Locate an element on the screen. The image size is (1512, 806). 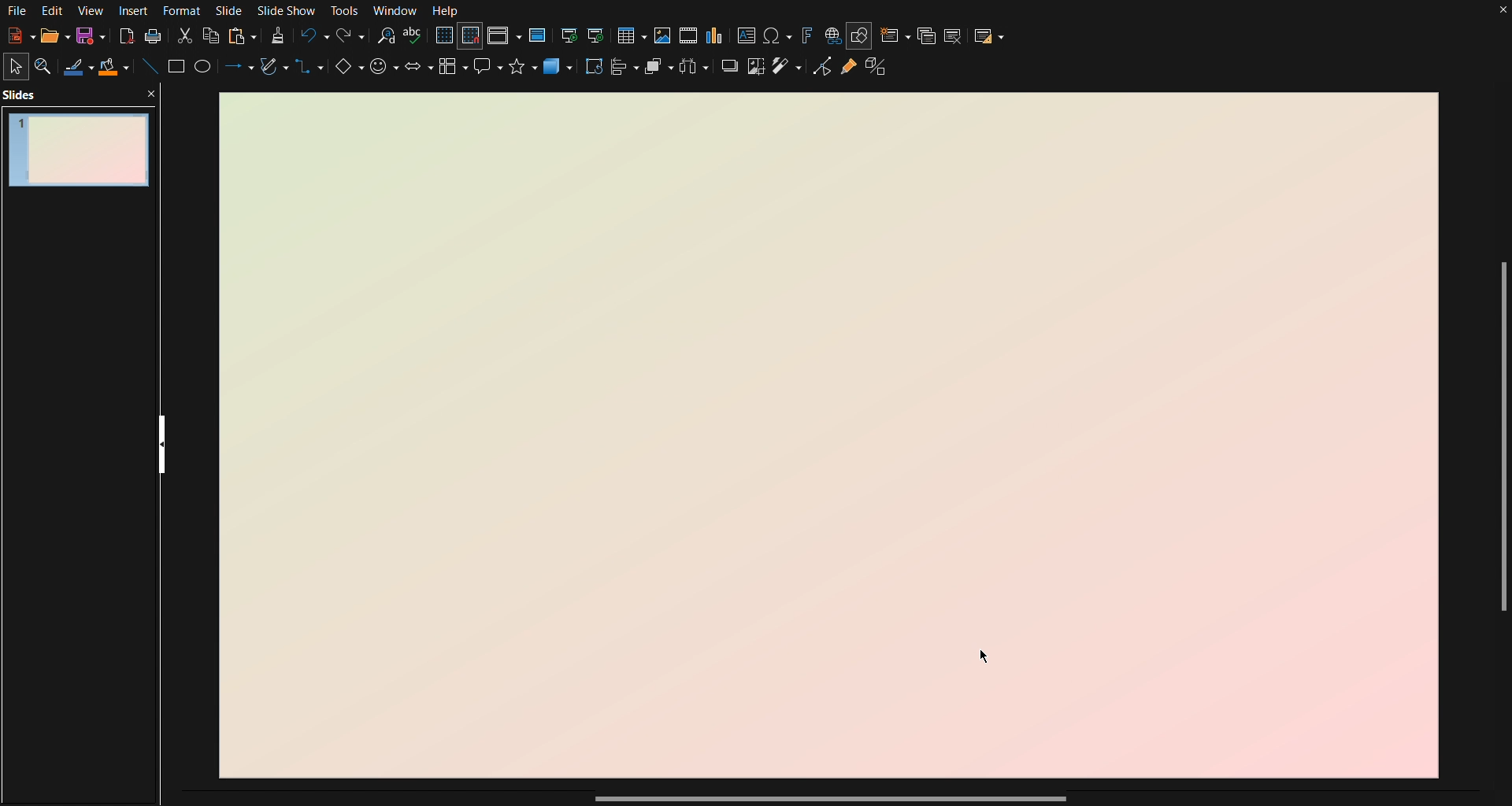
Copy is located at coordinates (212, 35).